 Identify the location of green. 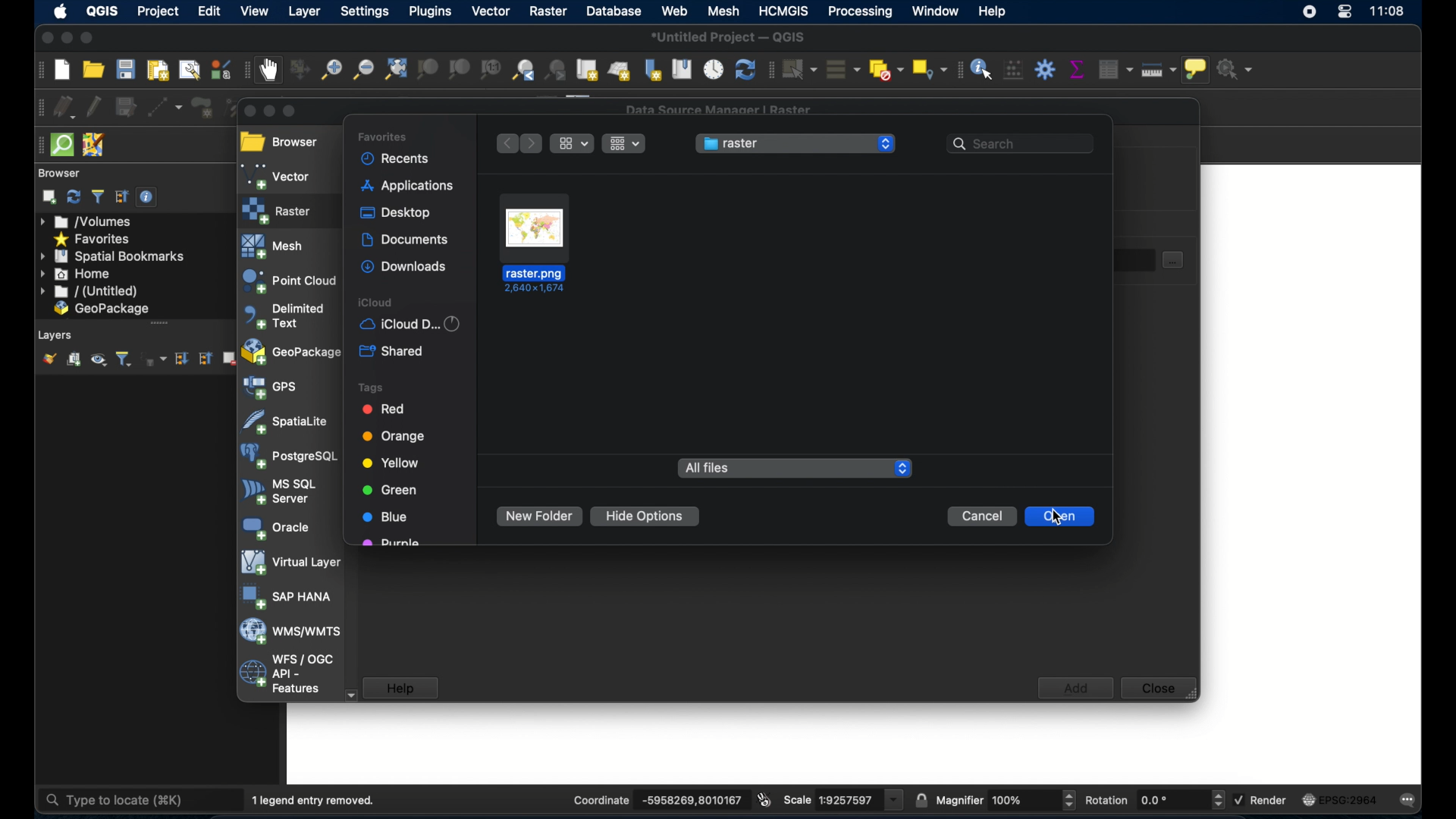
(391, 490).